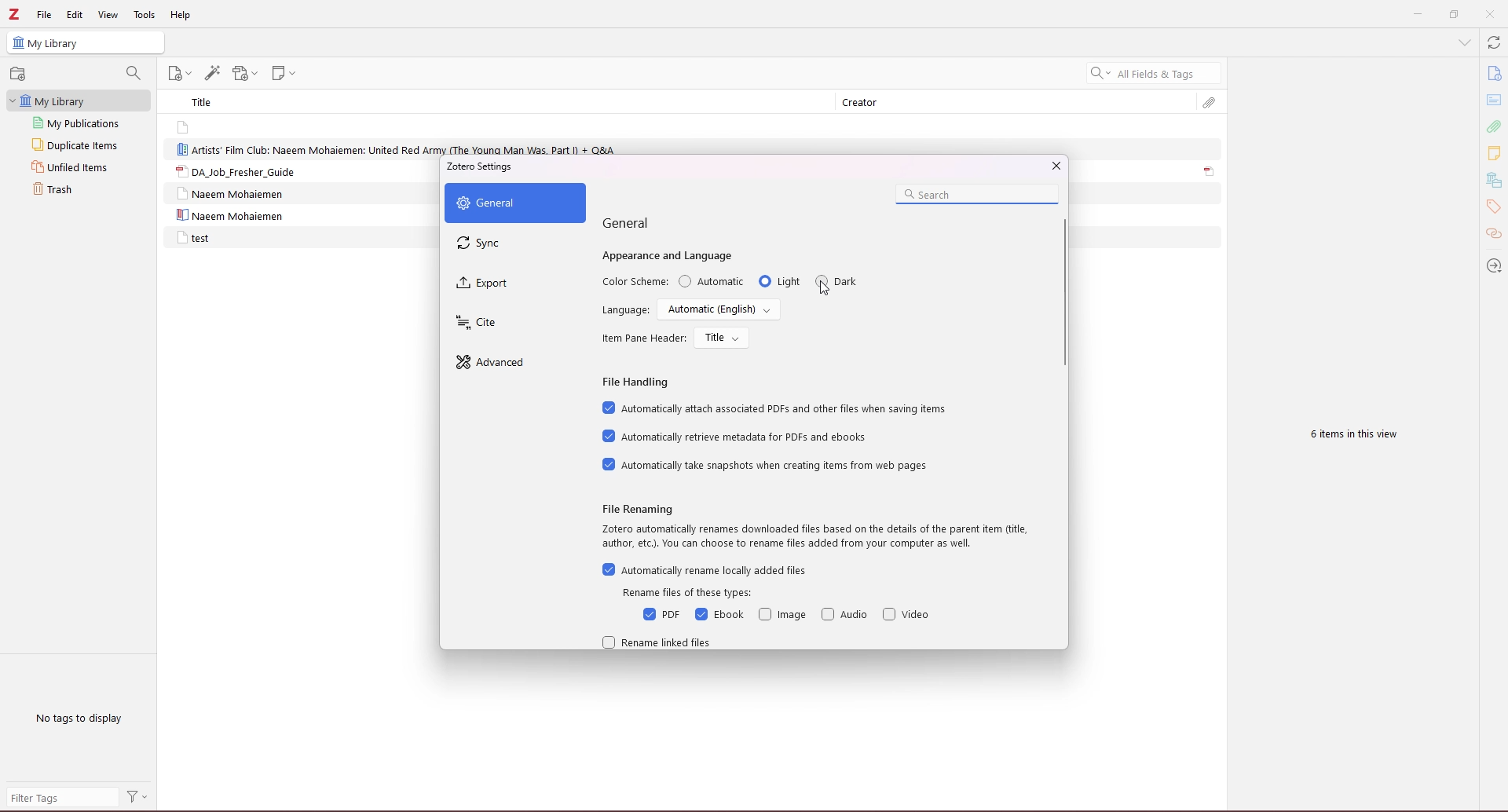 This screenshot has width=1508, height=812. What do you see at coordinates (213, 73) in the screenshot?
I see `add items by identifier` at bounding box center [213, 73].